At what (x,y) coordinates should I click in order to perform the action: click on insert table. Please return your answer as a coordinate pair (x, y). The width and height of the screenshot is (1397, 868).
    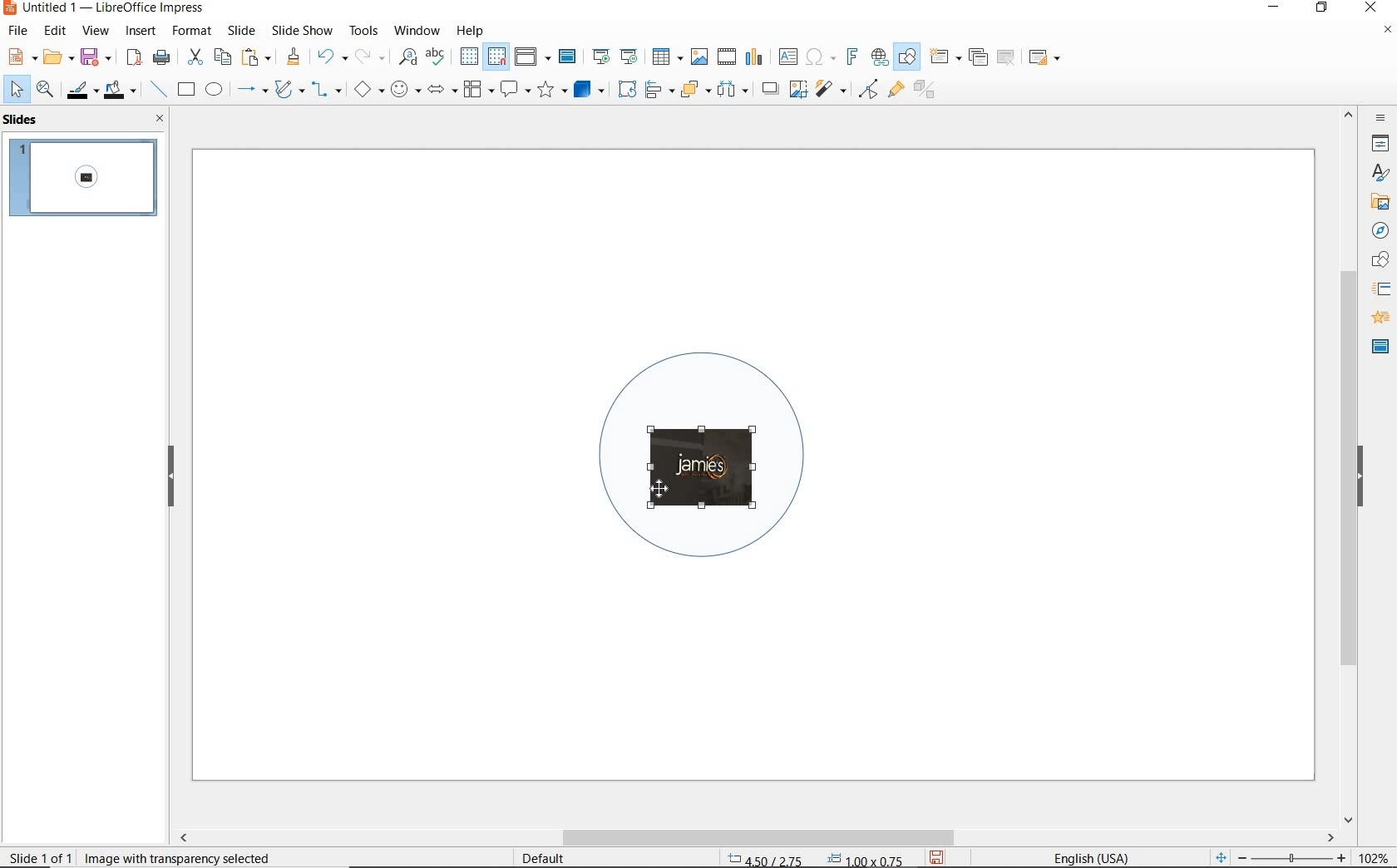
    Looking at the image, I should click on (665, 57).